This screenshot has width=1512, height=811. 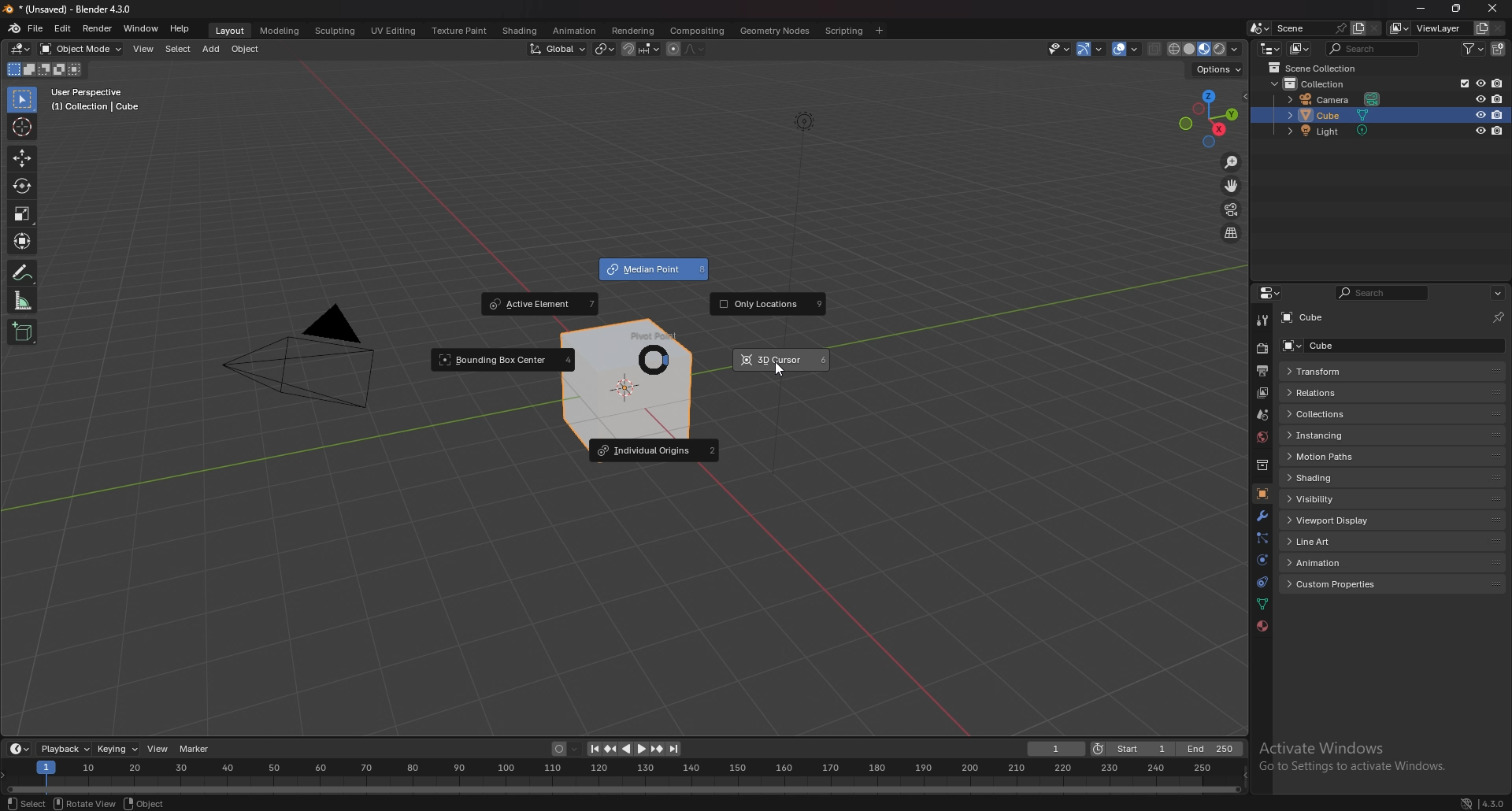 I want to click on selector, so click(x=22, y=100).